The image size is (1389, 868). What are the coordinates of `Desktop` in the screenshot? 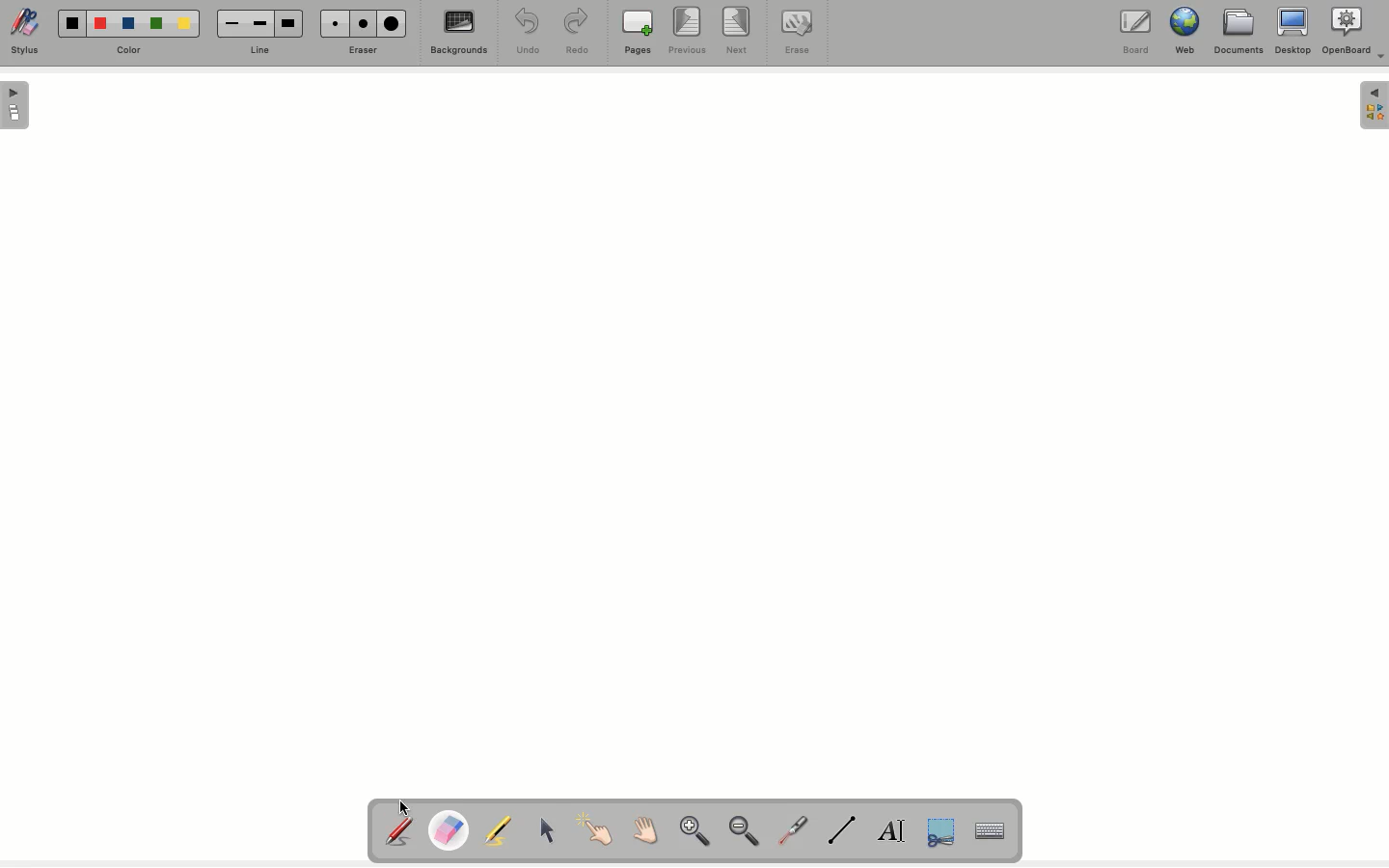 It's located at (1292, 33).